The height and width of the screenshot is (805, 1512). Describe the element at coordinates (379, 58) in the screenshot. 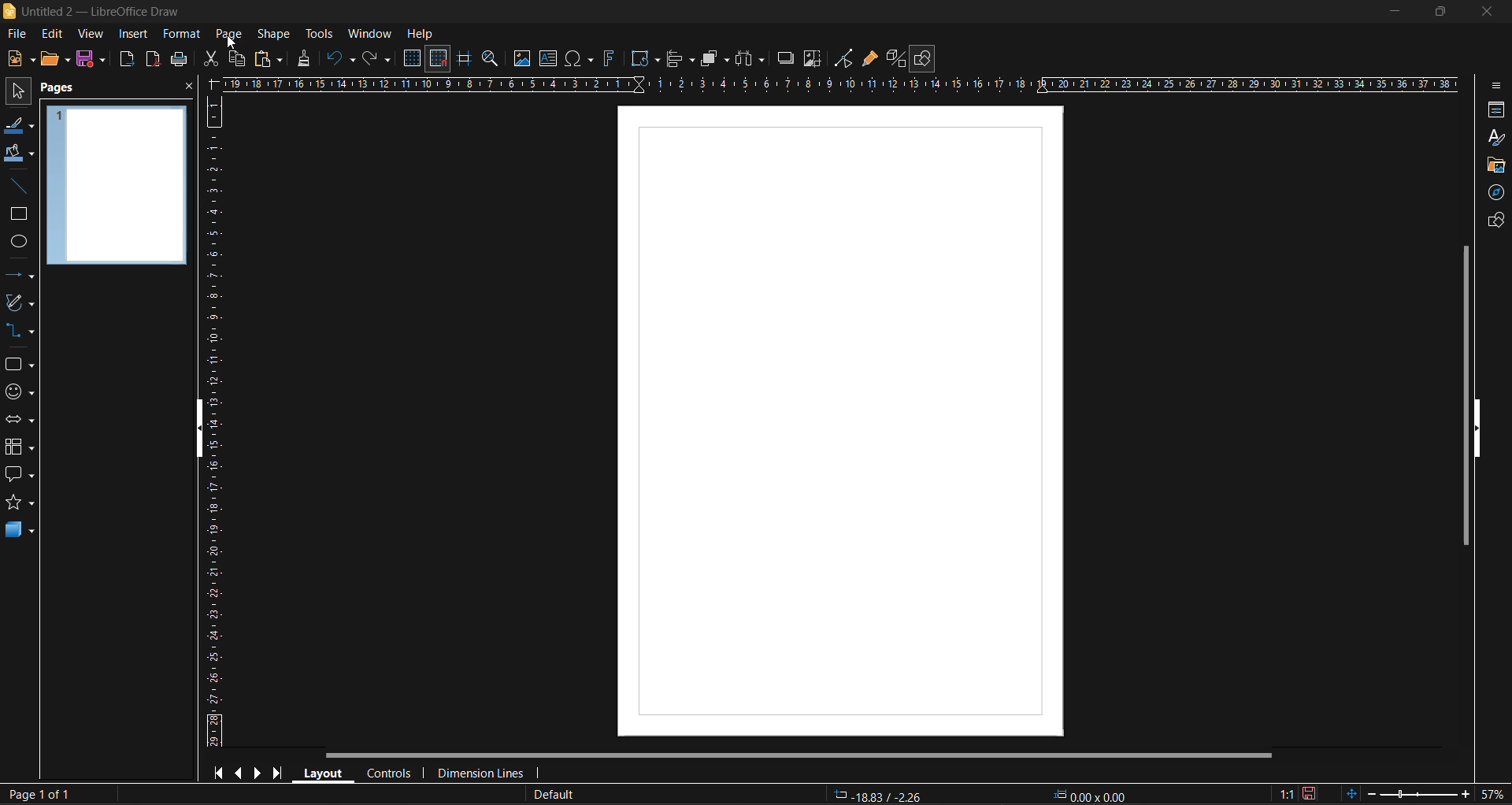

I see `redo` at that location.